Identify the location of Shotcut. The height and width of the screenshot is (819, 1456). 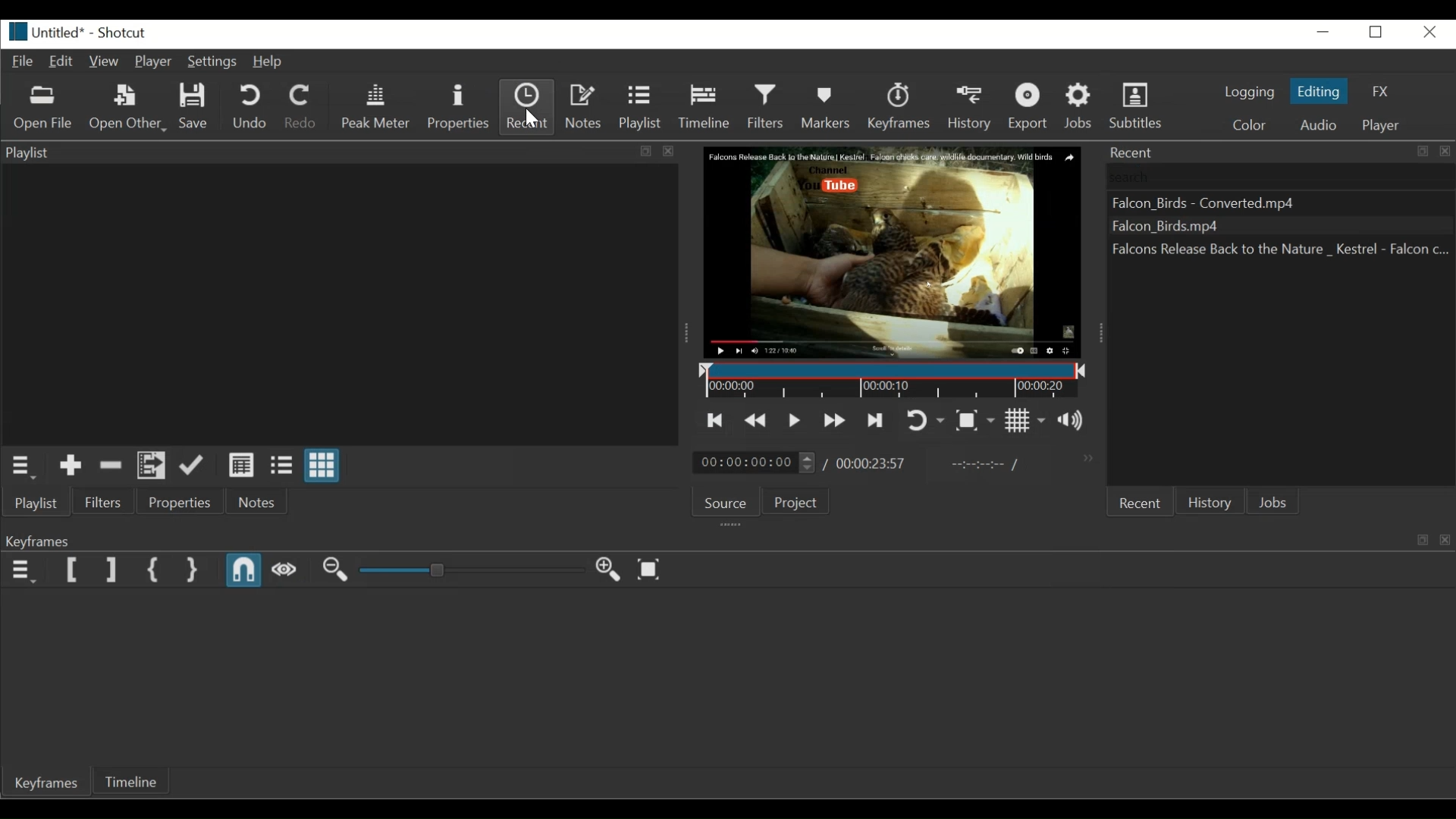
(124, 34).